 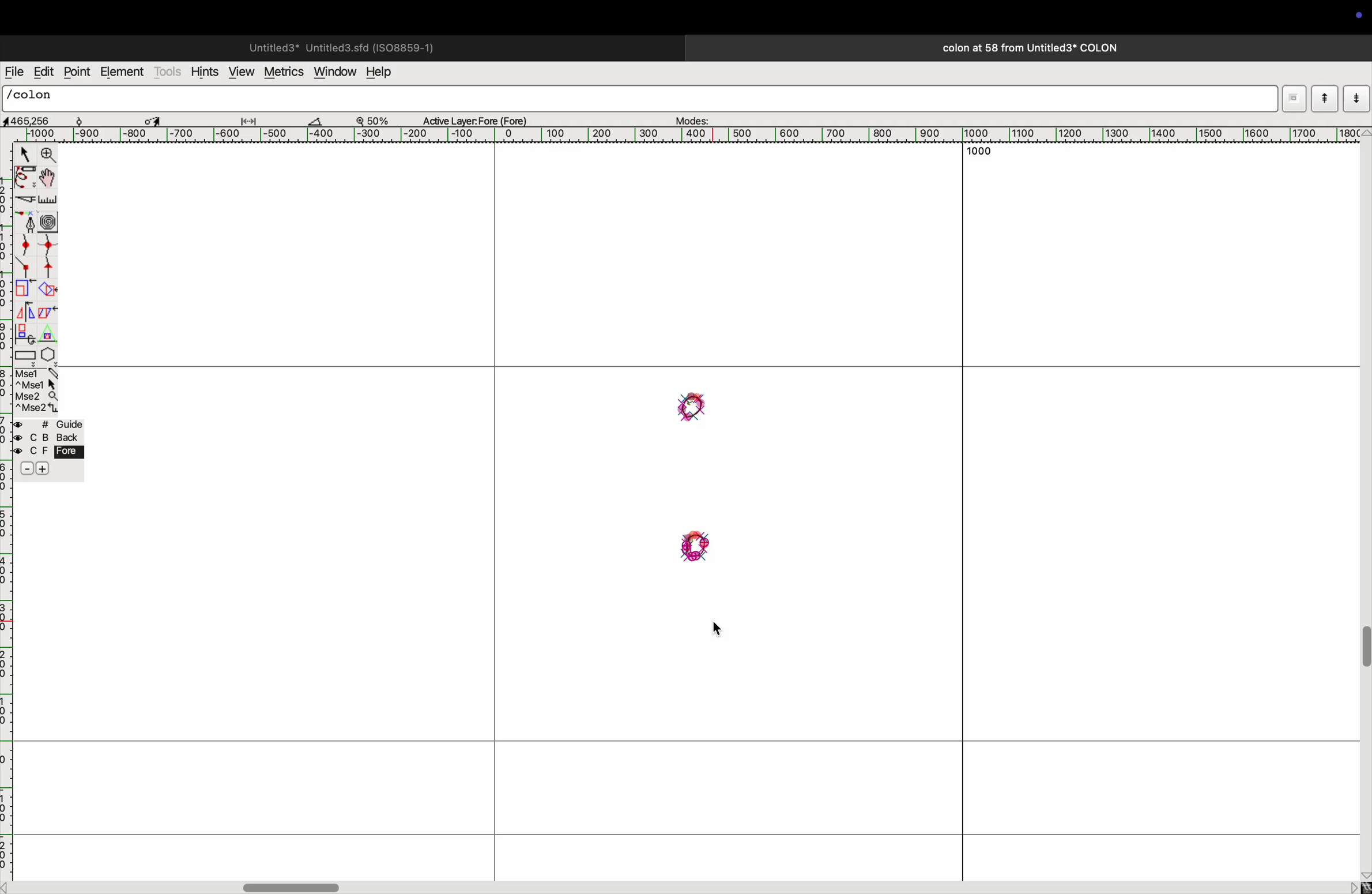 I want to click on window, so click(x=333, y=73).